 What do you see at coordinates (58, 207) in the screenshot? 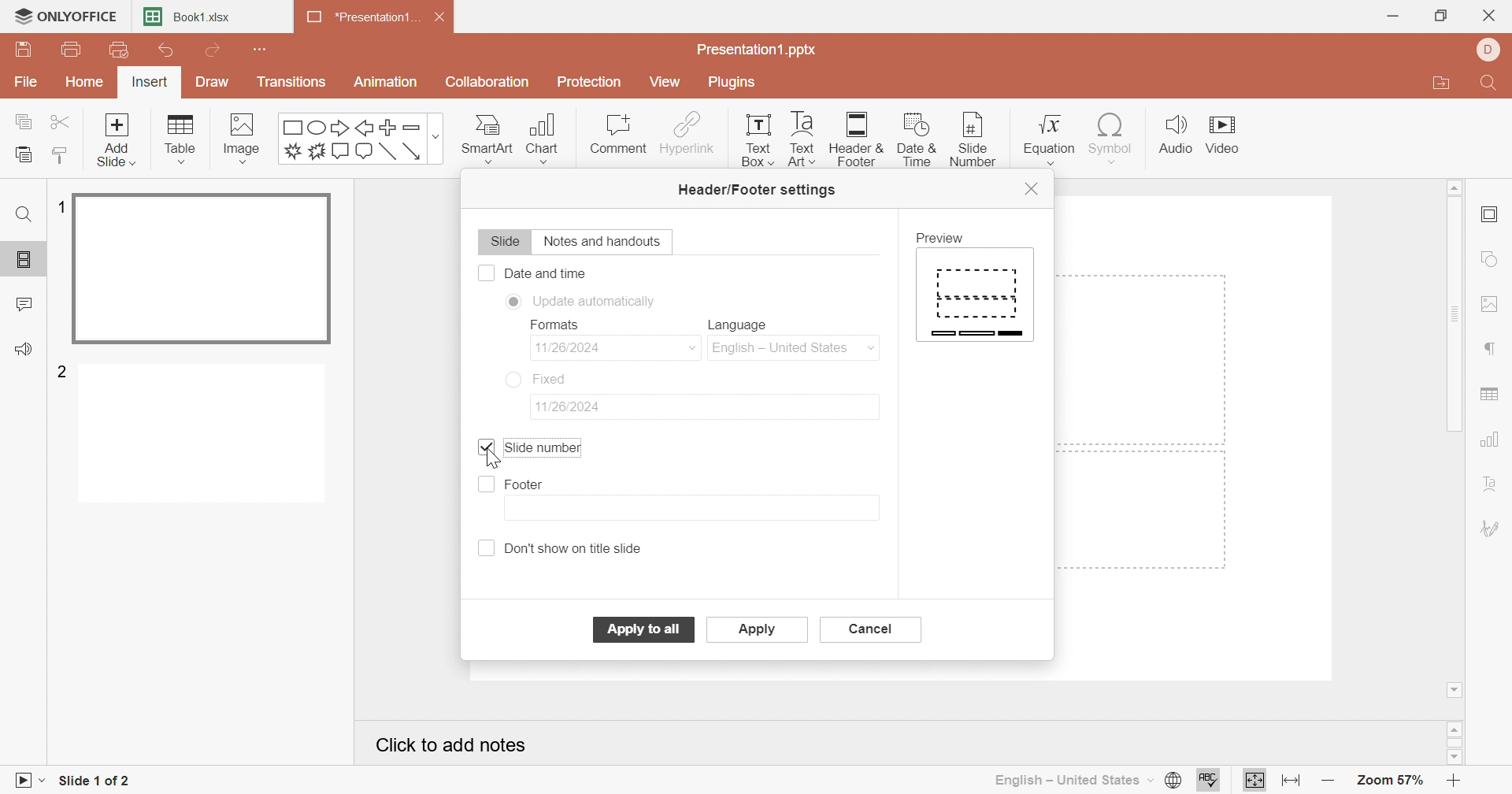
I see `1` at bounding box center [58, 207].